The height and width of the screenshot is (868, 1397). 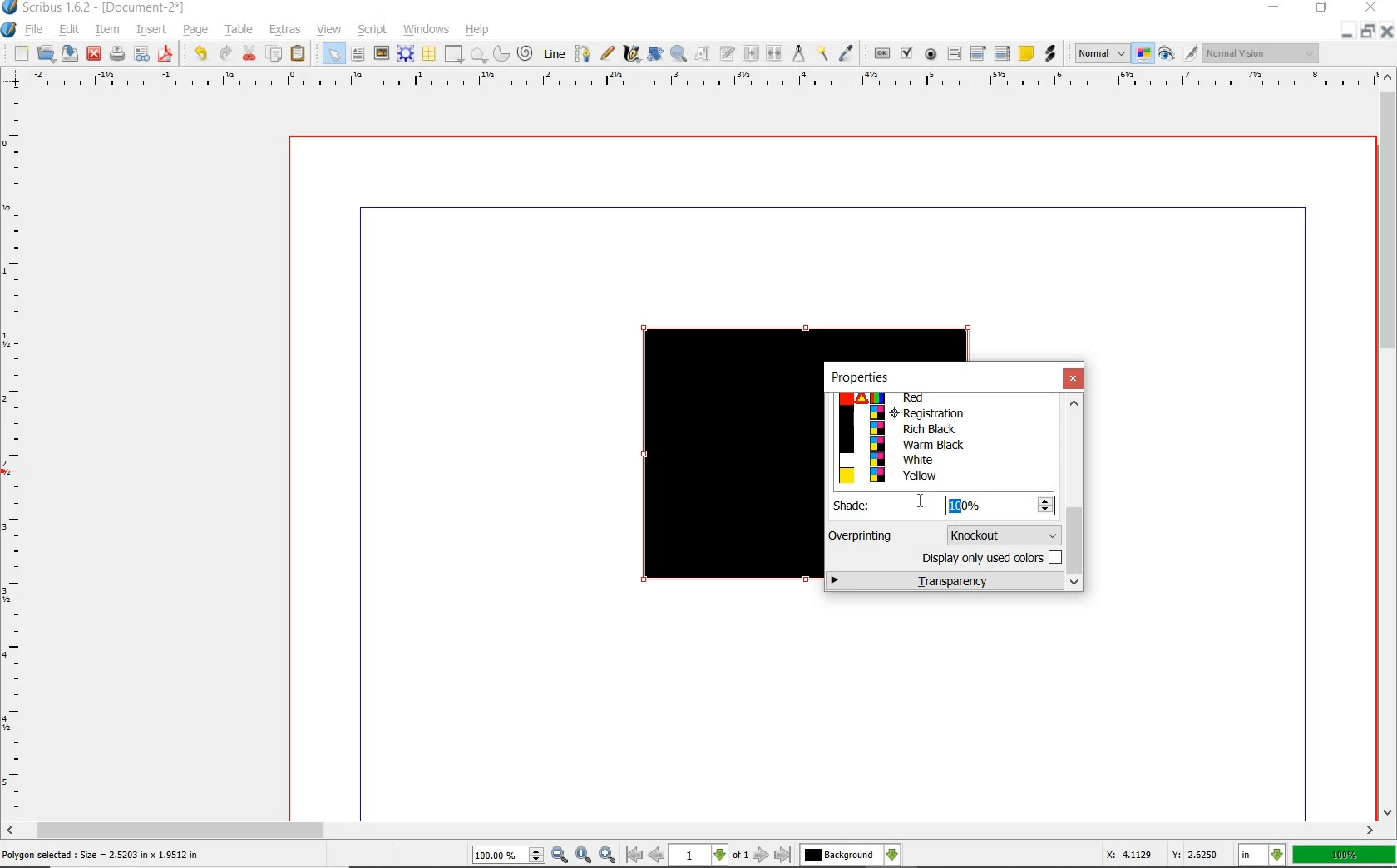 I want to click on Overprinting, so click(x=862, y=535).